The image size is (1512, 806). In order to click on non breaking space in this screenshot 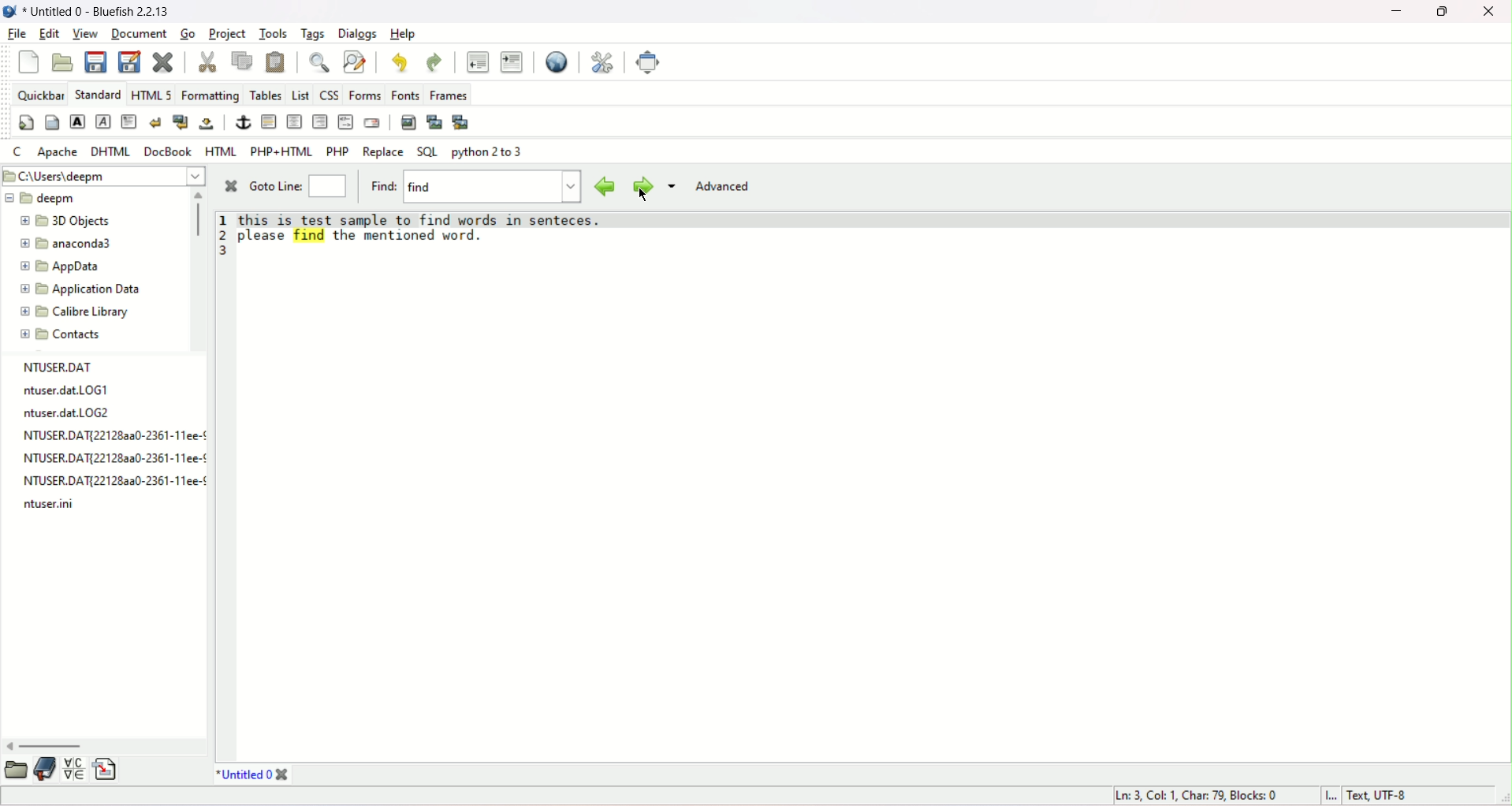, I will do `click(207, 125)`.